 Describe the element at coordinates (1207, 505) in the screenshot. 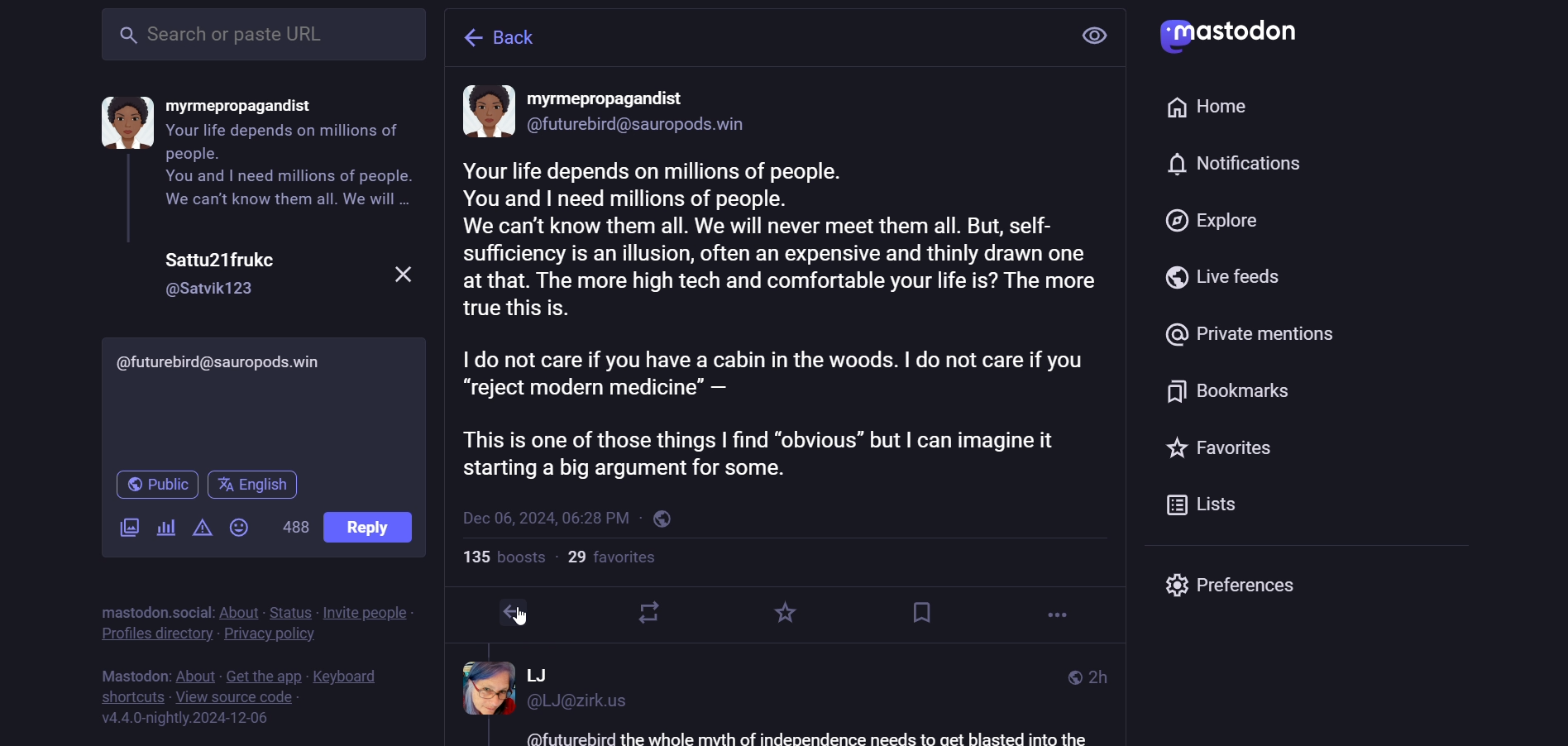

I see `list` at that location.